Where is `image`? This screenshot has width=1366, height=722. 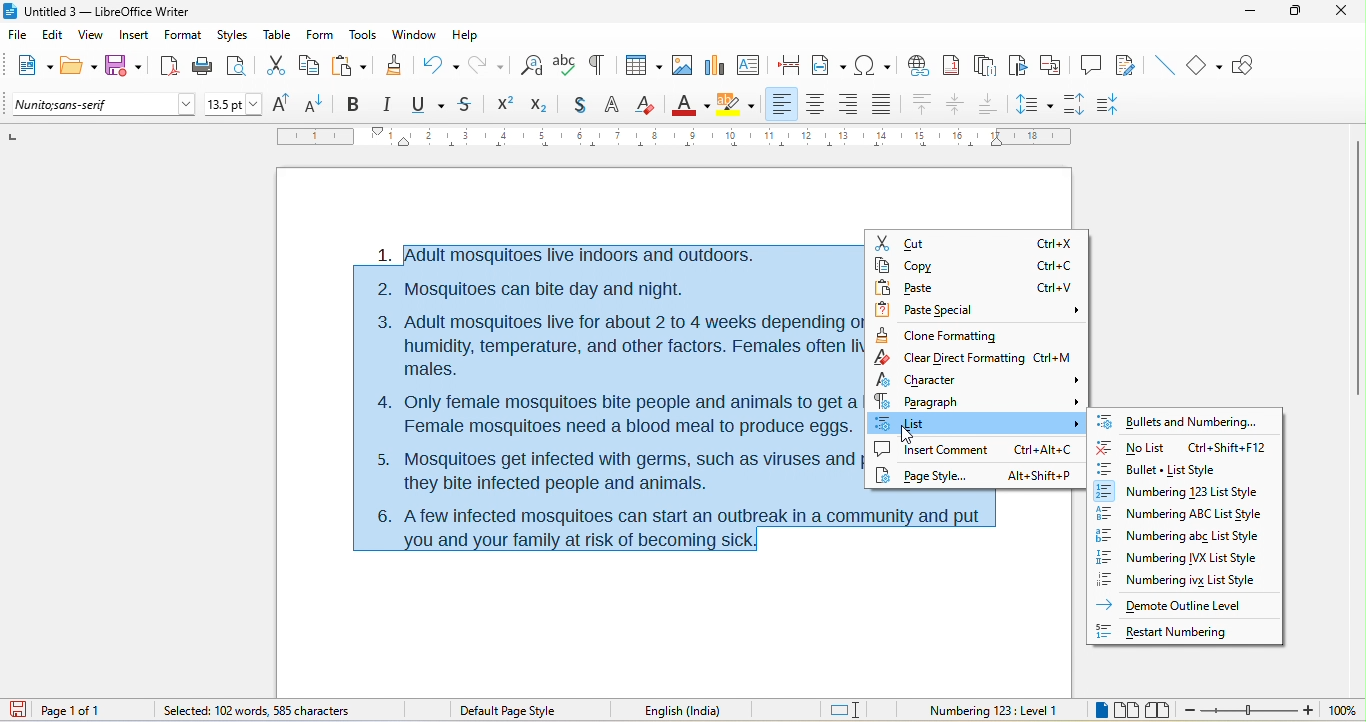
image is located at coordinates (678, 67).